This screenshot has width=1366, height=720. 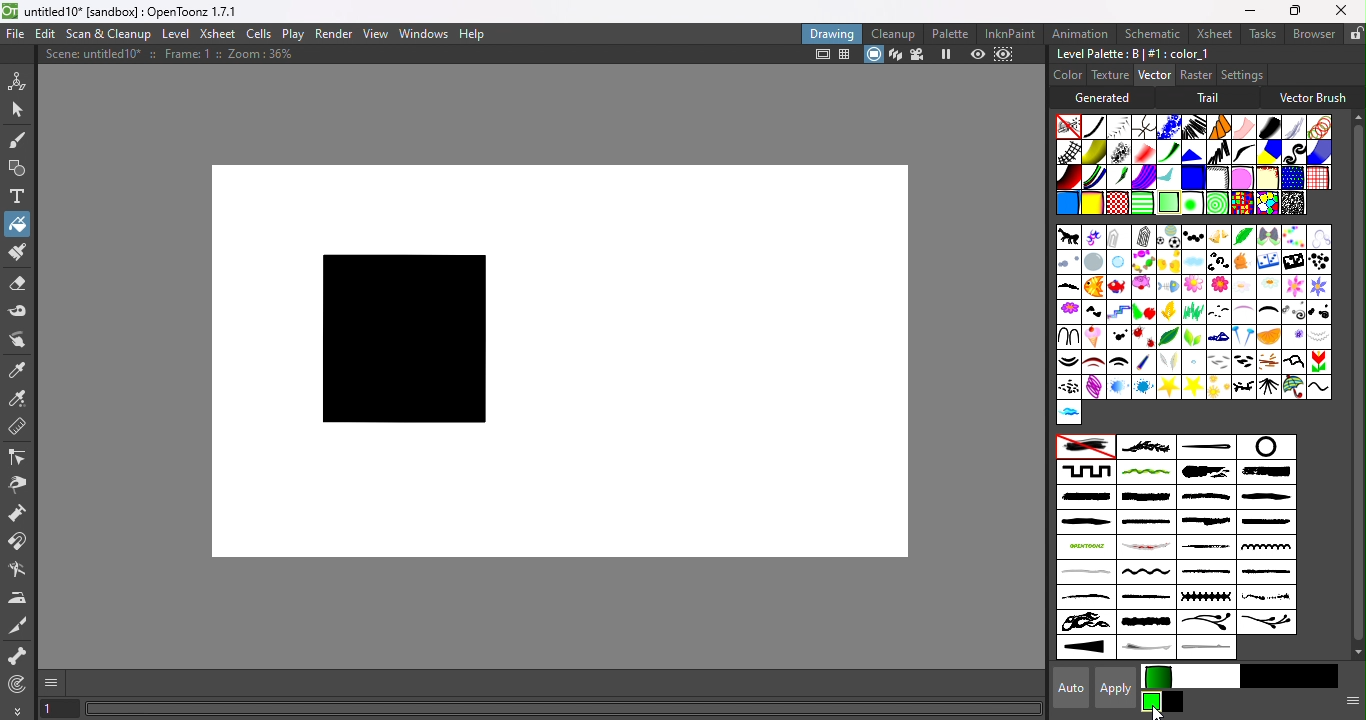 What do you see at coordinates (1243, 286) in the screenshot?
I see `flow3` at bounding box center [1243, 286].